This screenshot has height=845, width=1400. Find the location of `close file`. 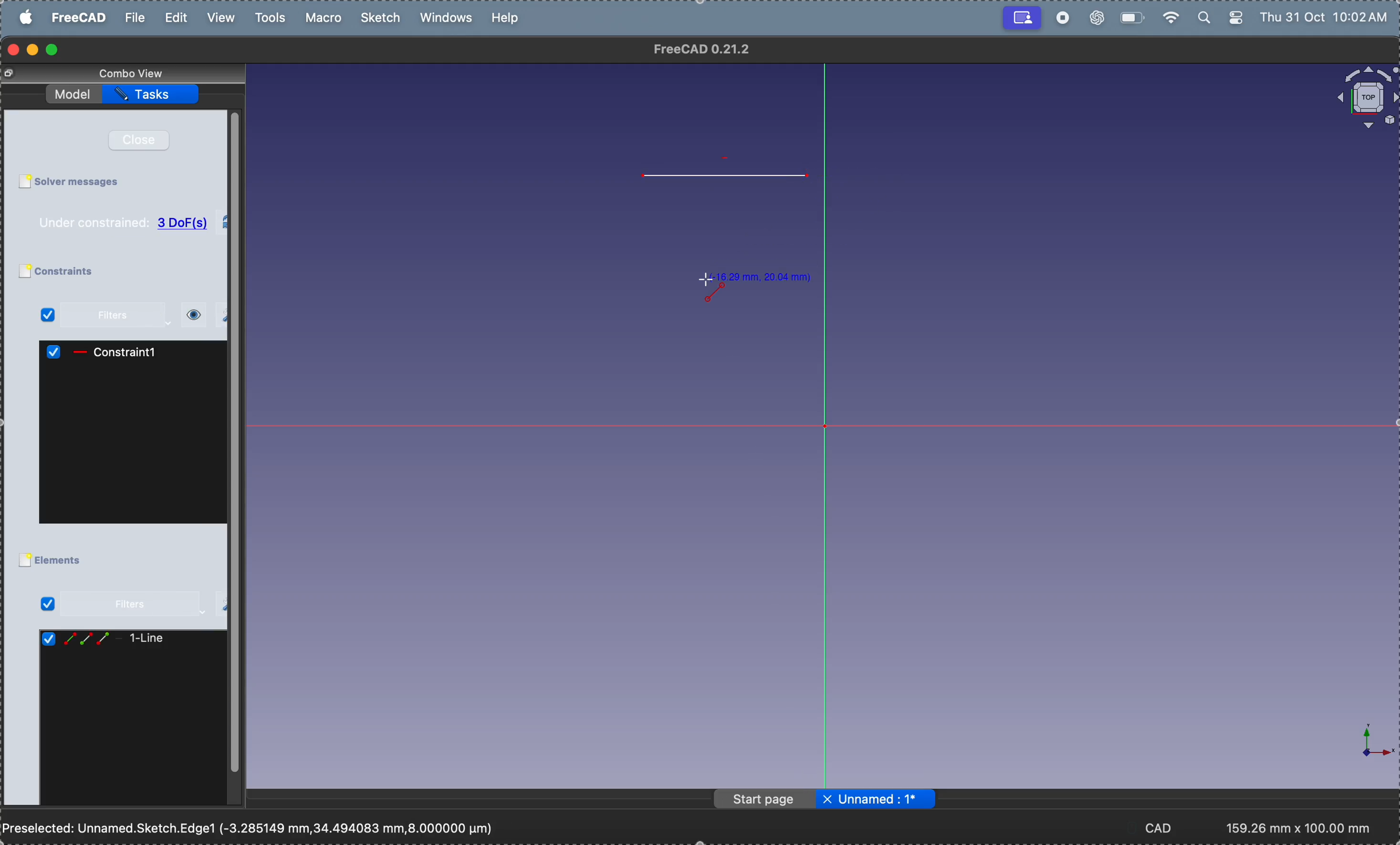

close file is located at coordinates (827, 800).